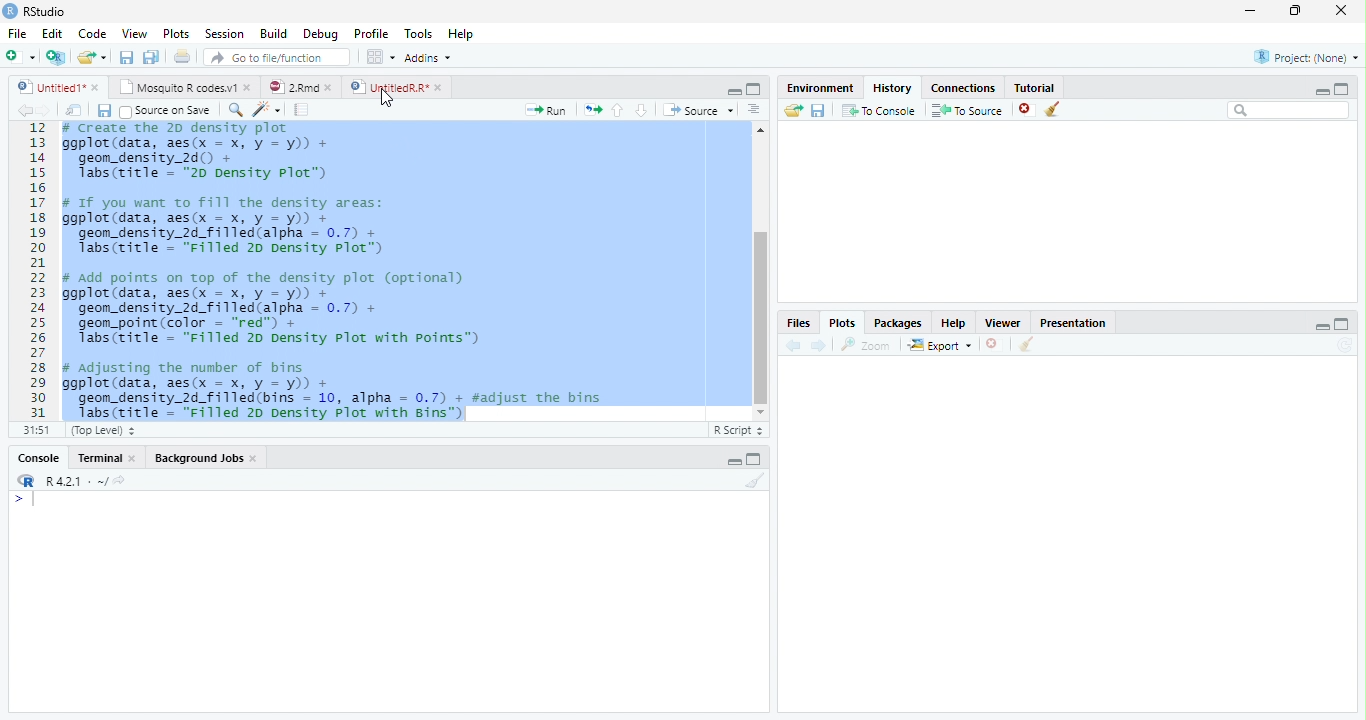 This screenshot has width=1366, height=720. What do you see at coordinates (46, 87) in the screenshot?
I see `Untitled1` at bounding box center [46, 87].